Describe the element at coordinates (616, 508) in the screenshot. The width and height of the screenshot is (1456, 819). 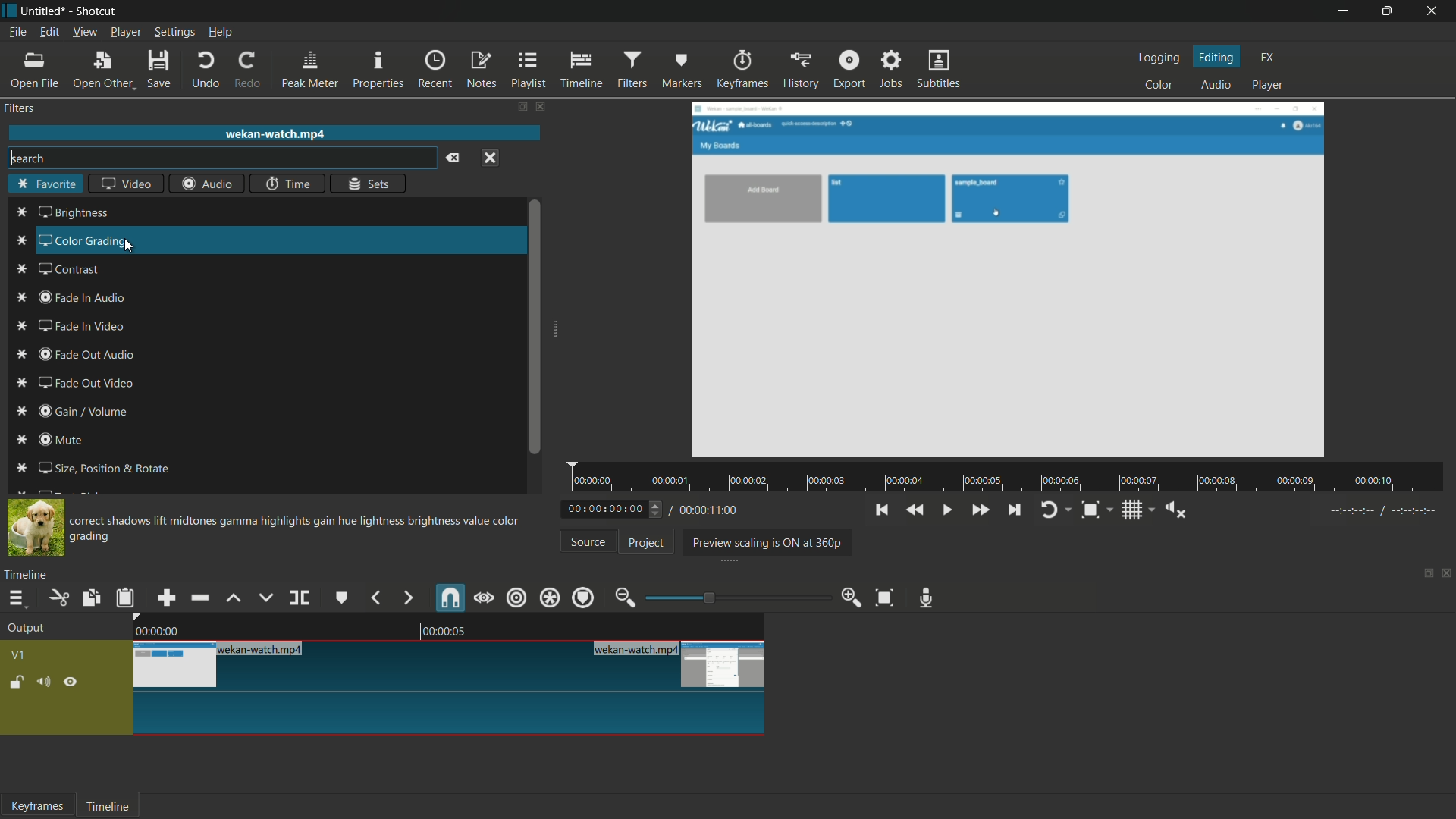
I see `current time` at that location.